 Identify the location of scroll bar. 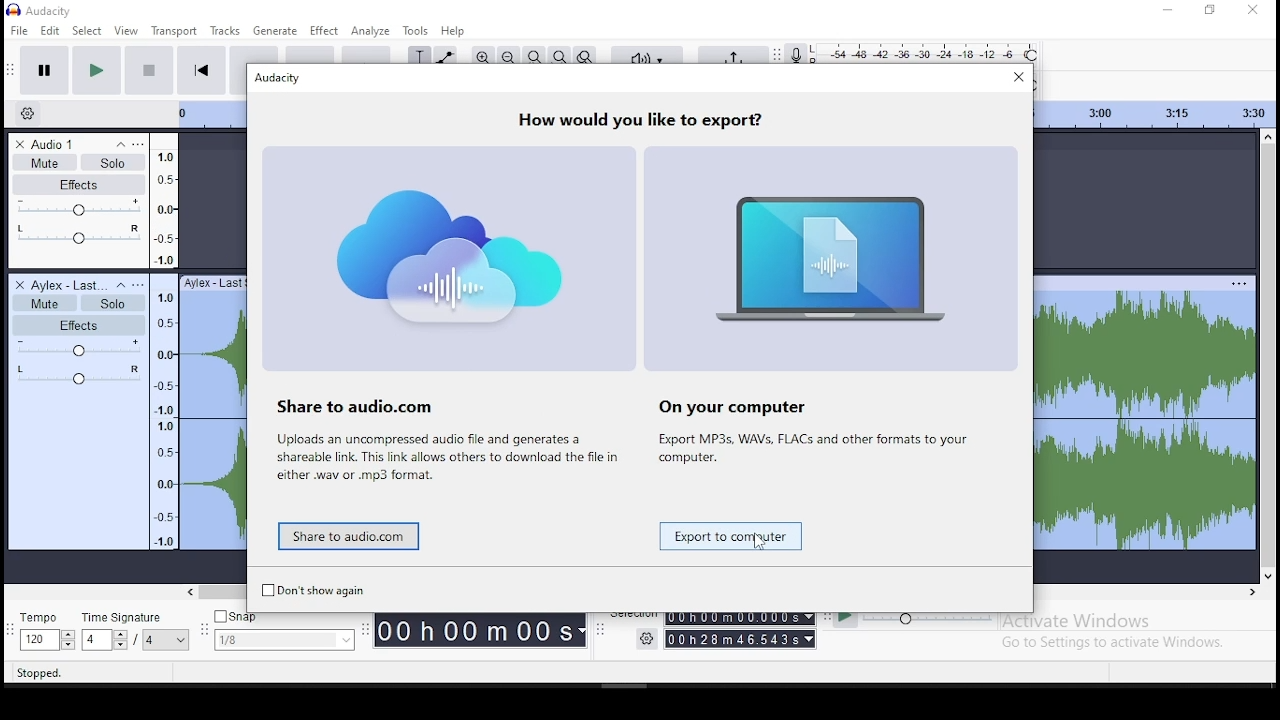
(1267, 355).